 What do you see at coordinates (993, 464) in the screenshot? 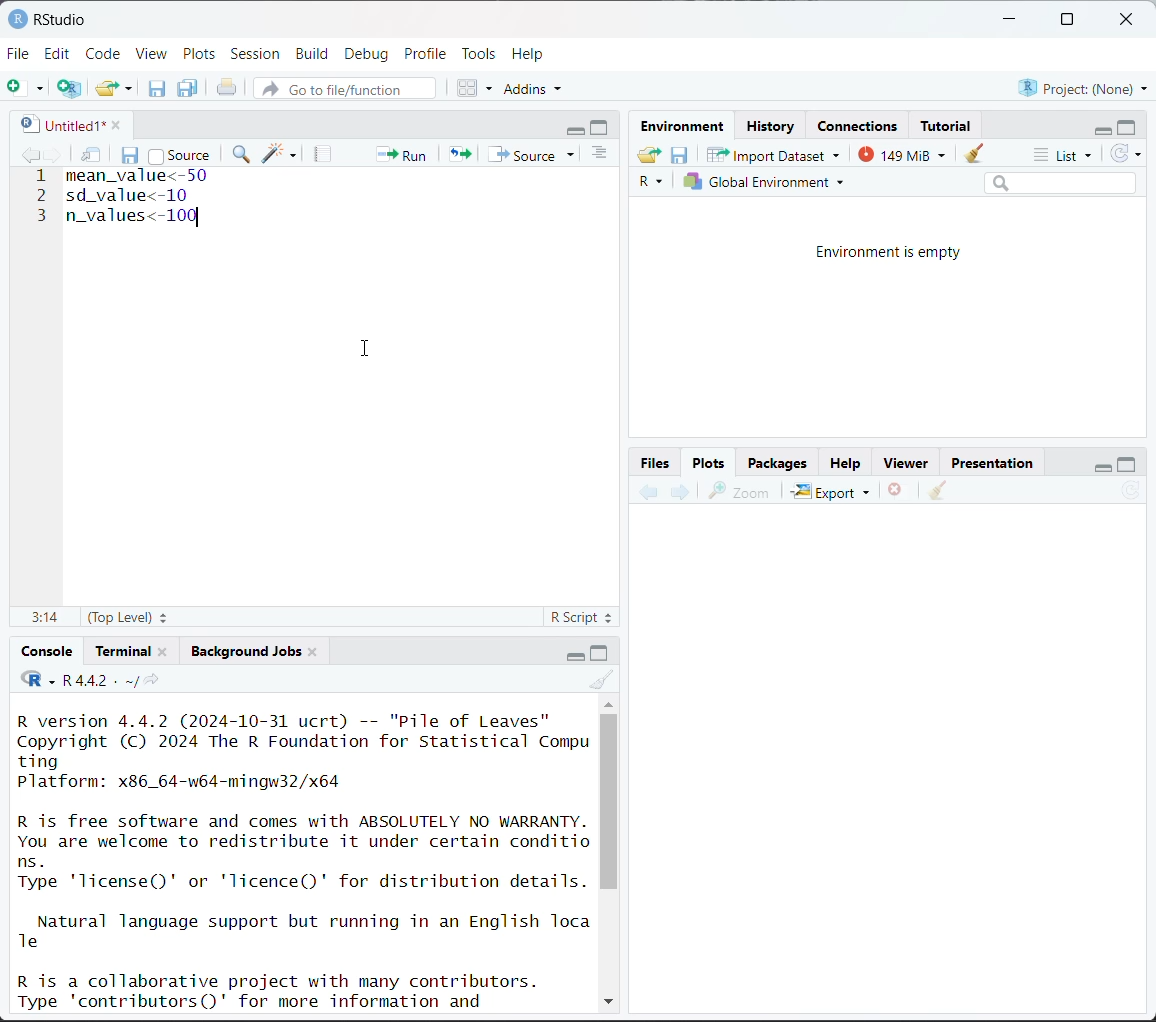
I see `Presentation` at bounding box center [993, 464].